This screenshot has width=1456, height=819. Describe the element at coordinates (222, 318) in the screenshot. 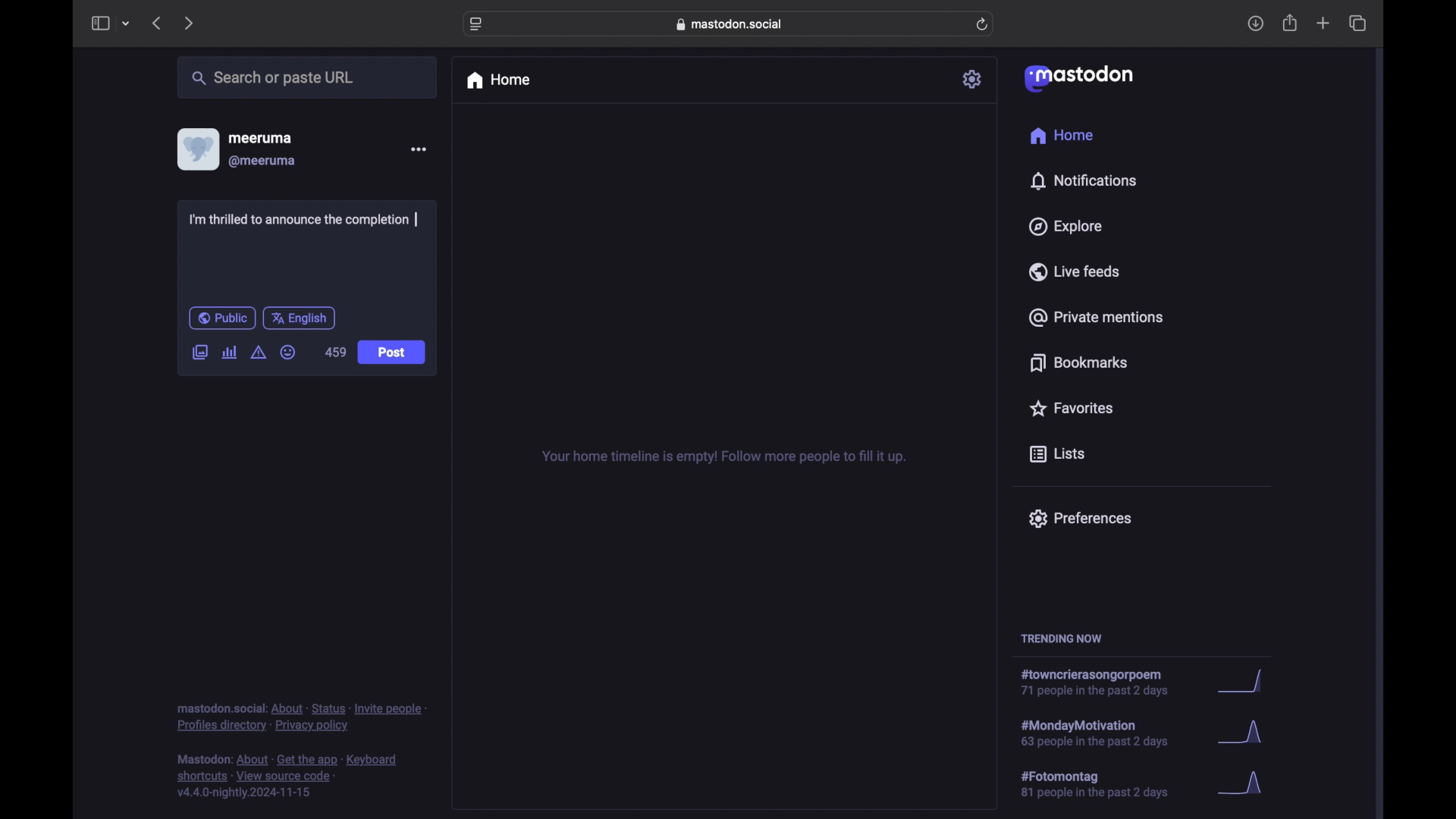

I see `public` at that location.